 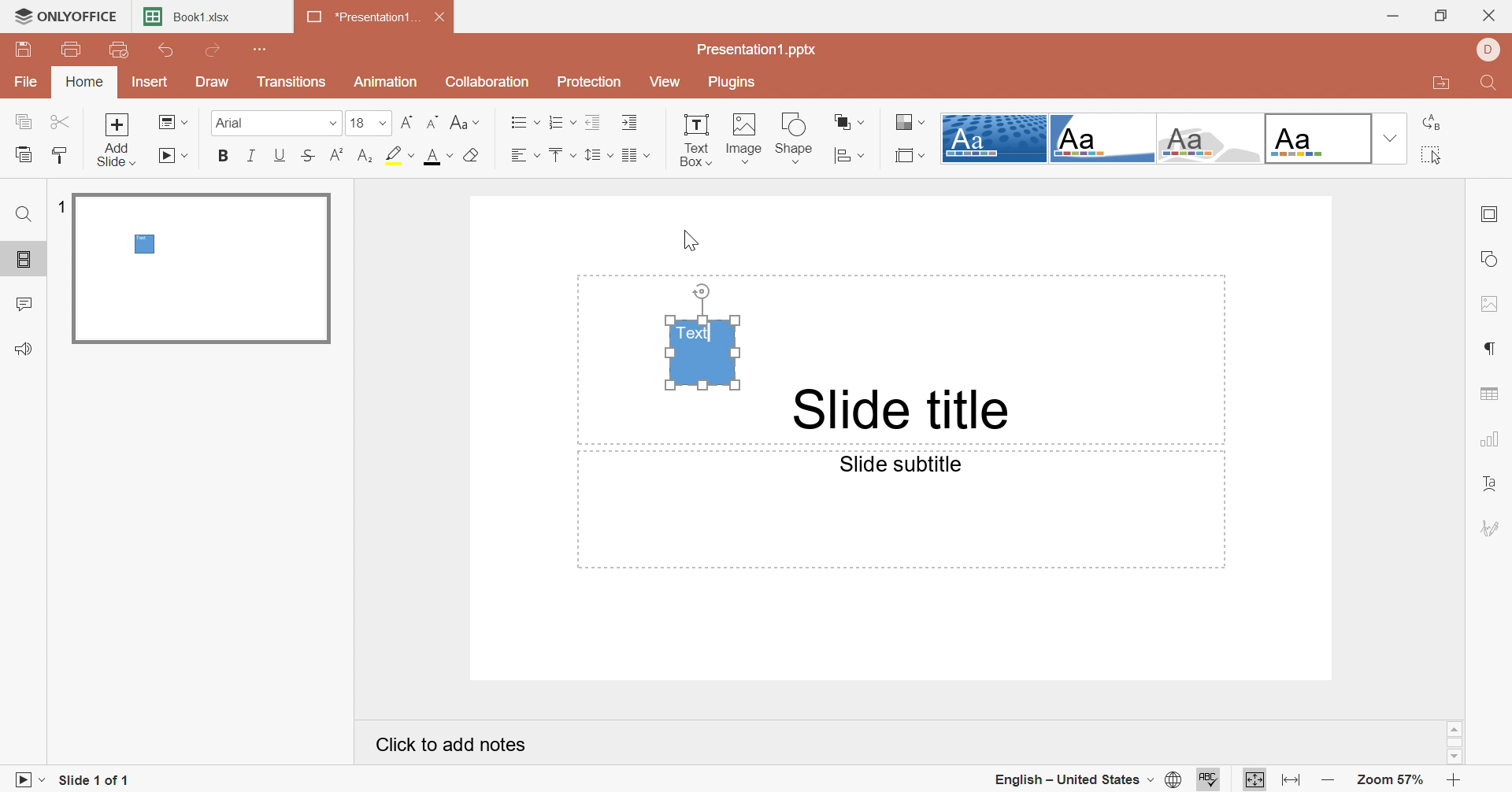 I want to click on Official, so click(x=1319, y=136).